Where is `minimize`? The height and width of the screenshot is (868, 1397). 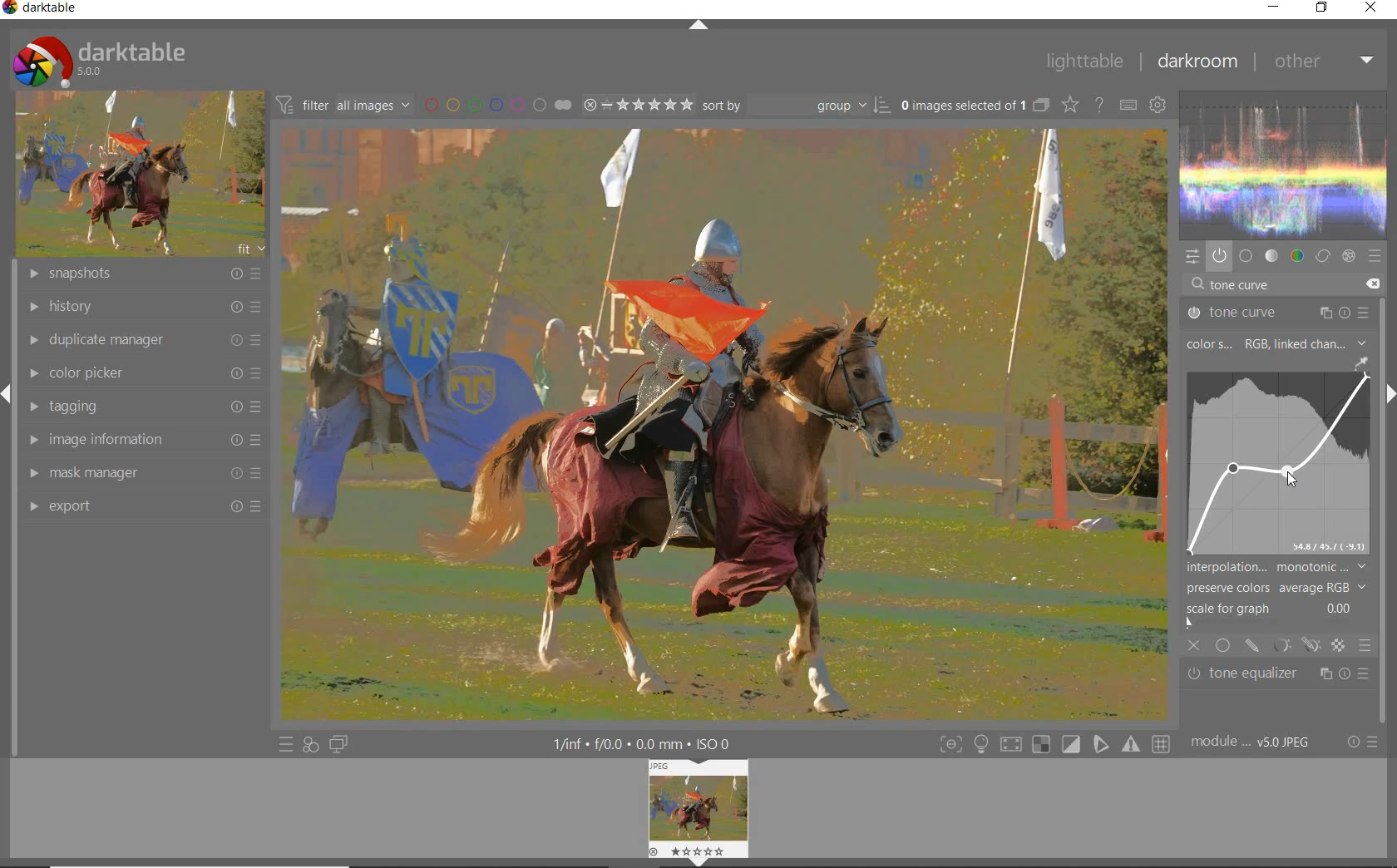 minimize is located at coordinates (1276, 7).